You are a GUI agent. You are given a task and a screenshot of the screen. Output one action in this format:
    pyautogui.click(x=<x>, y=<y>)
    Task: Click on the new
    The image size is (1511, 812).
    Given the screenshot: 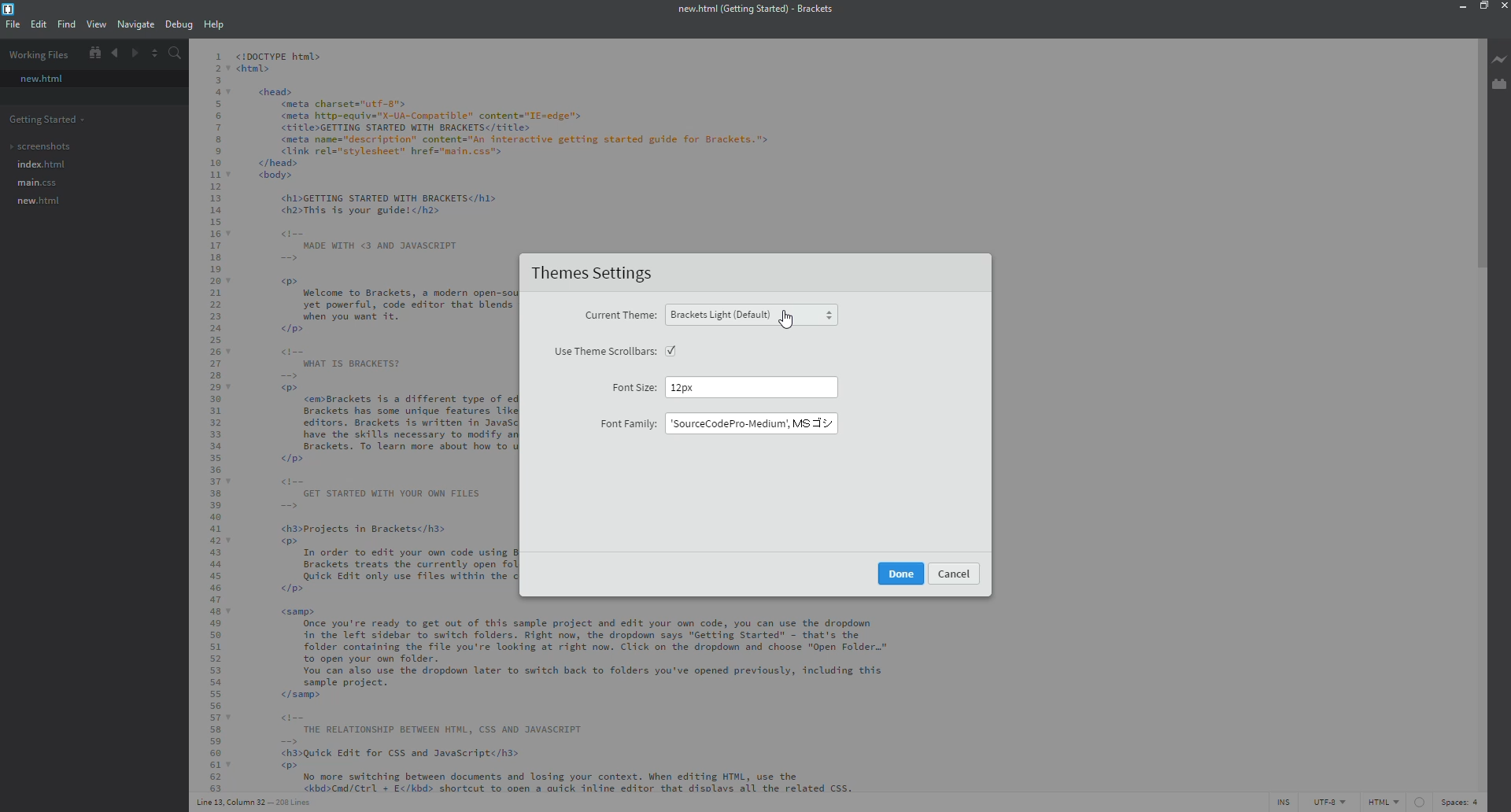 What is the action you would take?
    pyautogui.click(x=41, y=79)
    